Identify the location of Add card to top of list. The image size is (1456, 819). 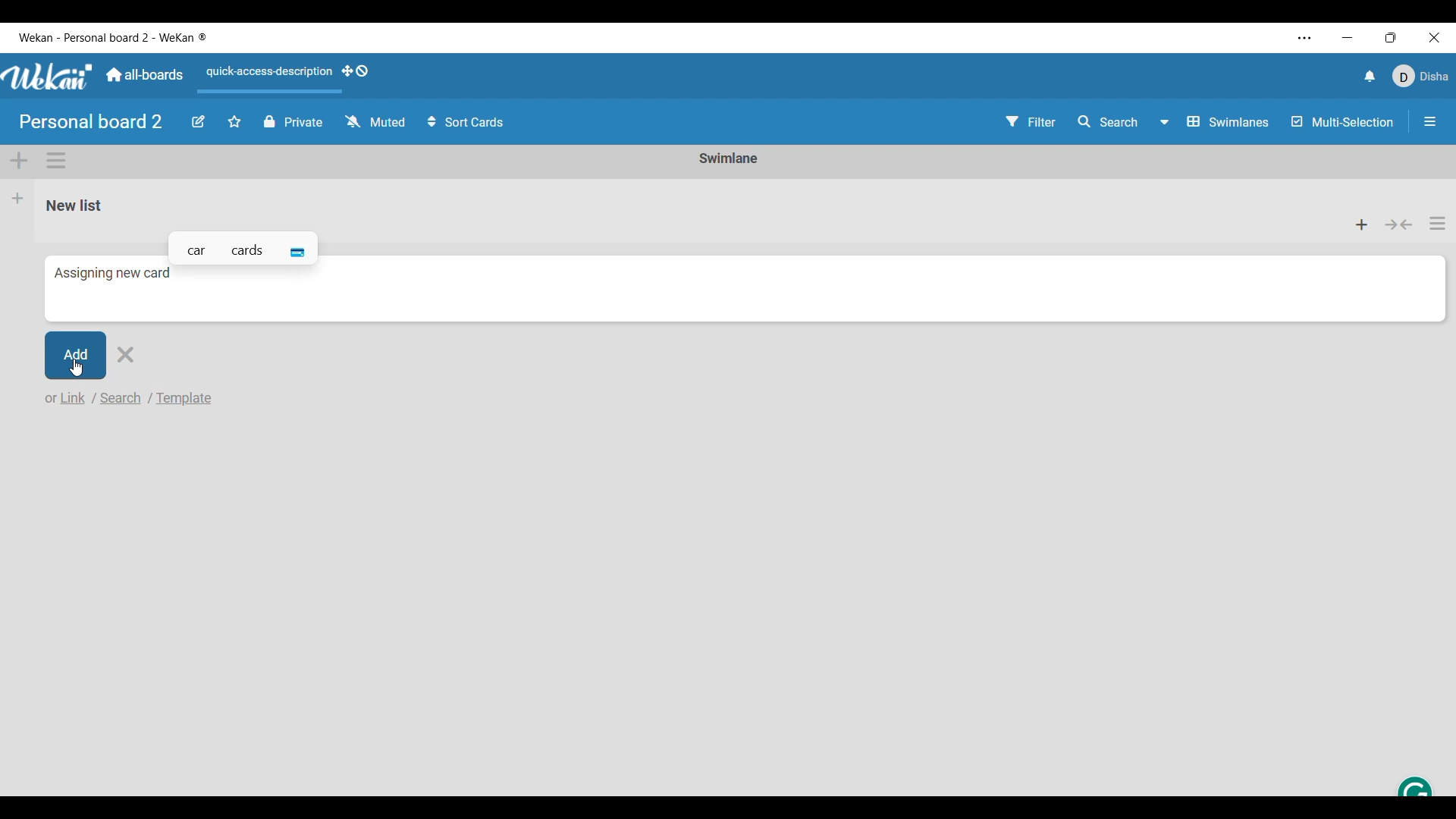
(1363, 224).